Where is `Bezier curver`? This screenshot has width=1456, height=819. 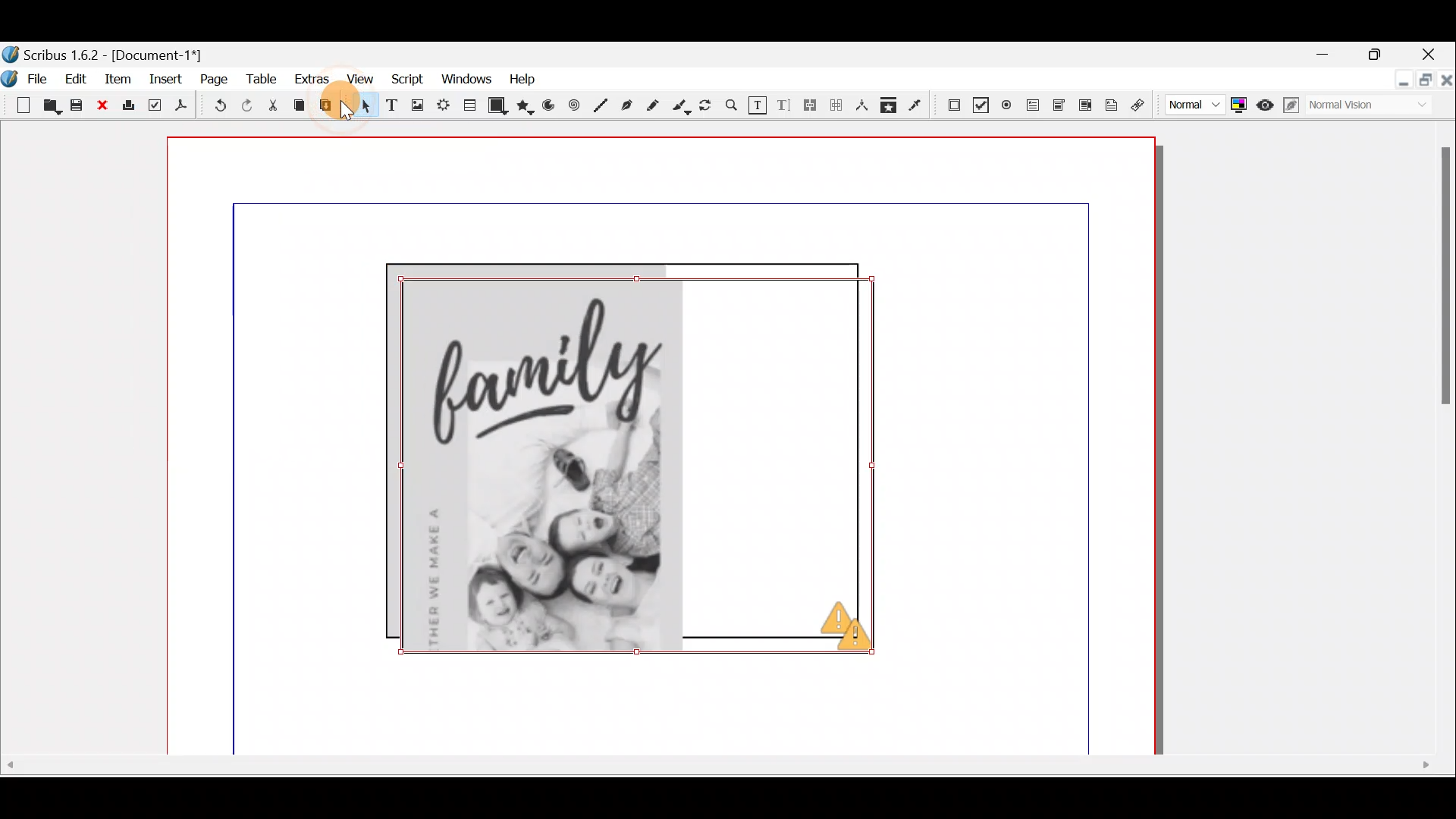 Bezier curver is located at coordinates (626, 105).